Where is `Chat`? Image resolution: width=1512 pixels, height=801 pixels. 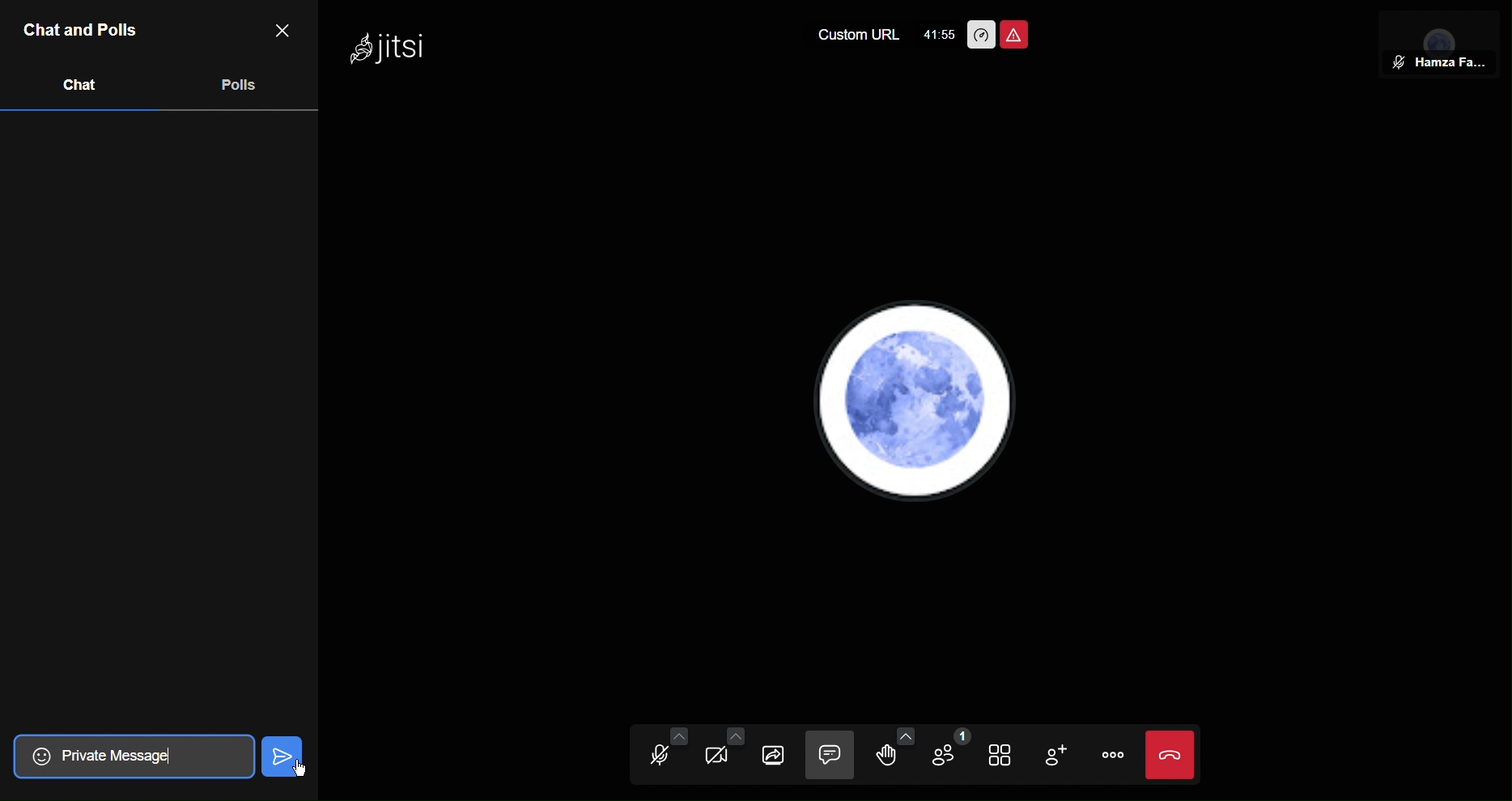
Chat is located at coordinates (79, 84).